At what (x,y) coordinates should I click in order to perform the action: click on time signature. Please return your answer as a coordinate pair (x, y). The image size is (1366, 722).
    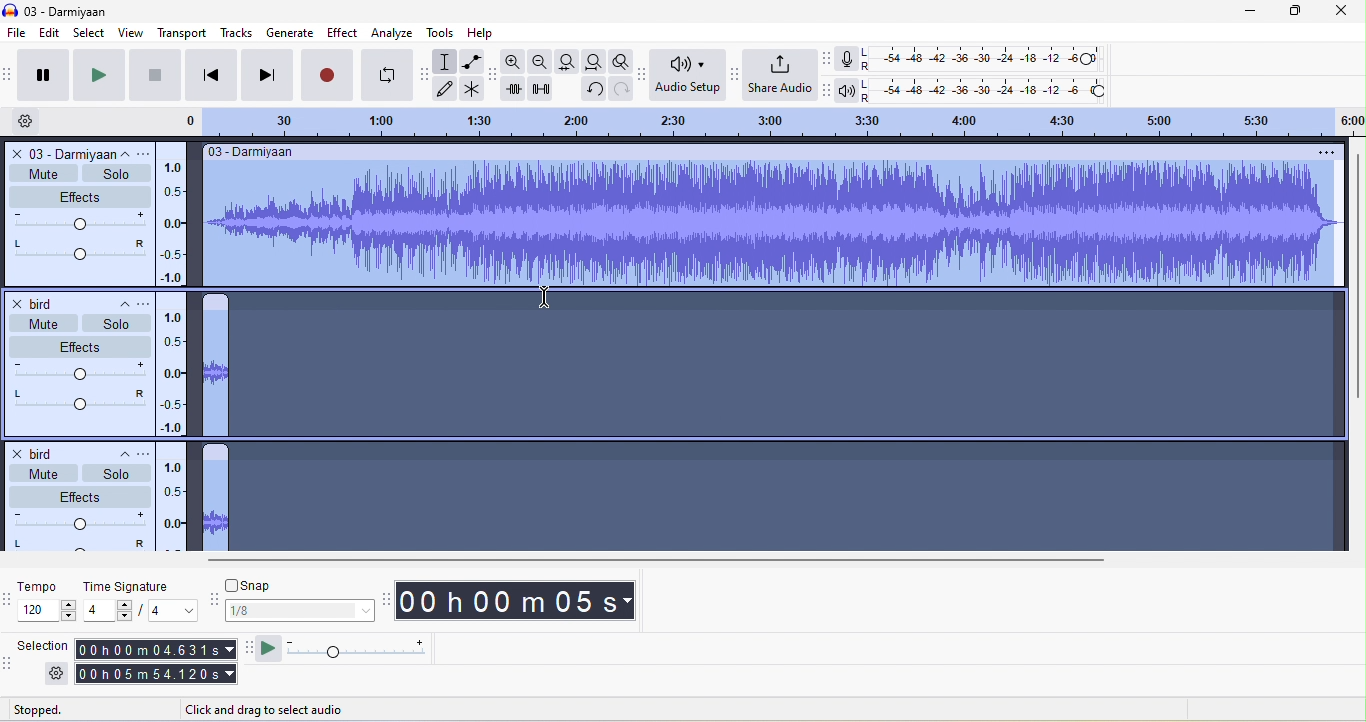
    Looking at the image, I should click on (135, 587).